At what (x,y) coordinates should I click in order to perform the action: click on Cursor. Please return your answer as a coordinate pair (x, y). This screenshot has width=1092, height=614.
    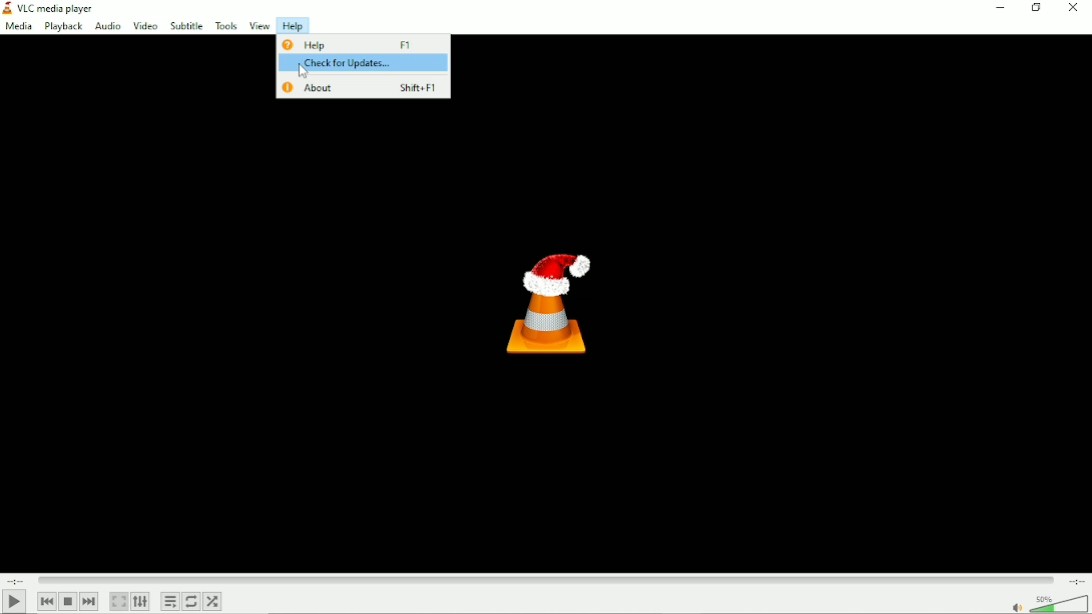
    Looking at the image, I should click on (304, 71).